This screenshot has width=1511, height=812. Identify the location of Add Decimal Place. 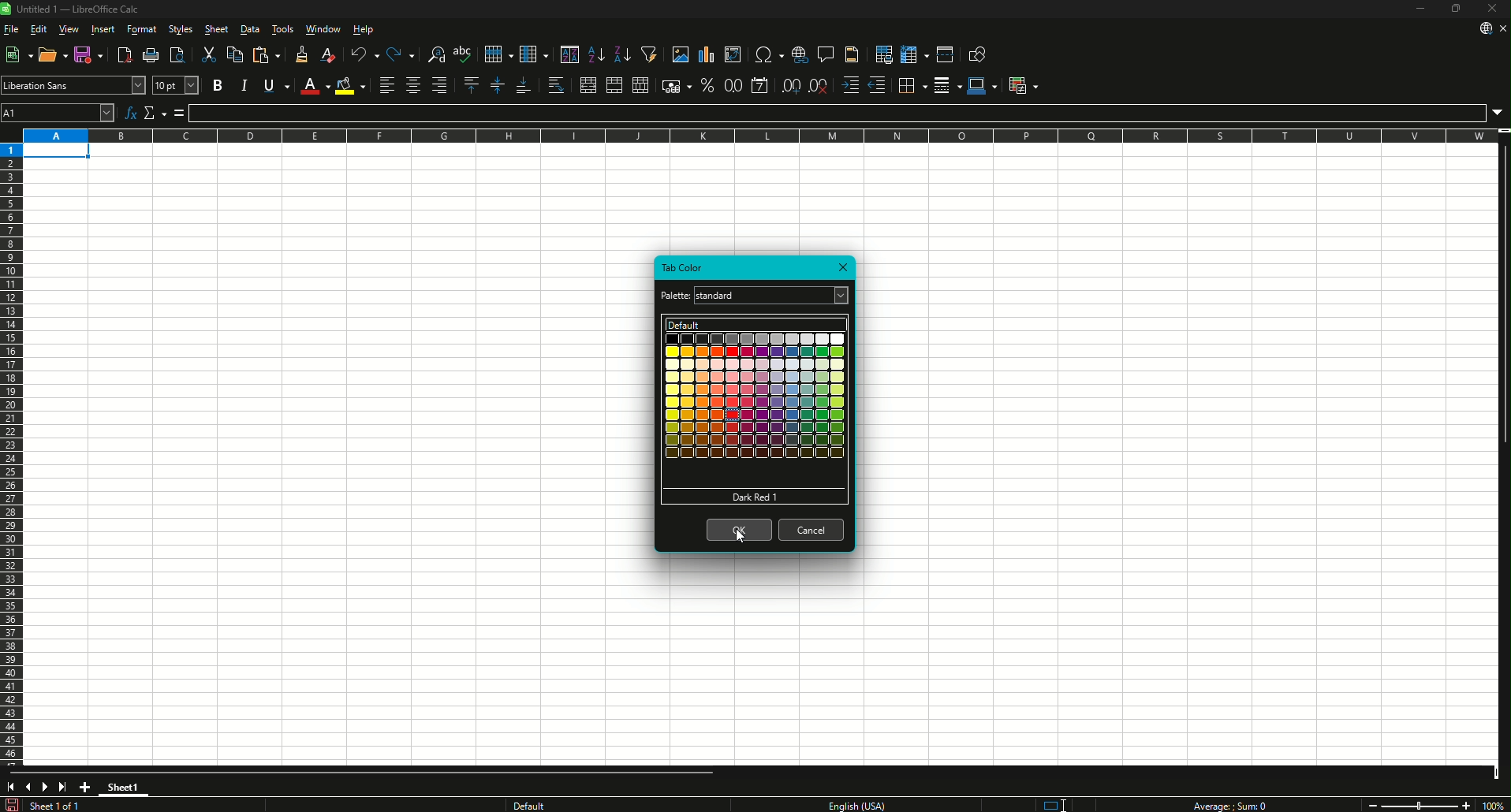
(790, 85).